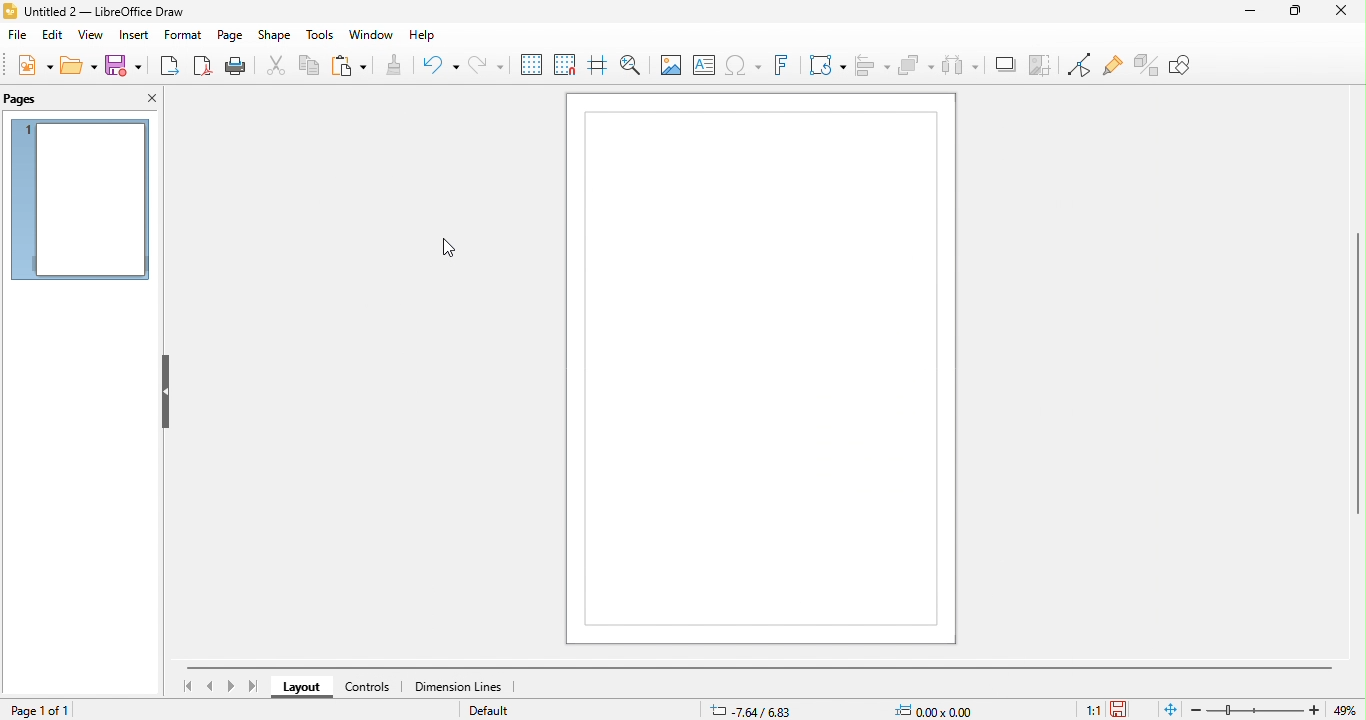 Image resolution: width=1366 pixels, height=720 pixels. Describe the element at coordinates (940, 708) in the screenshot. I see `0.00x0.00` at that location.